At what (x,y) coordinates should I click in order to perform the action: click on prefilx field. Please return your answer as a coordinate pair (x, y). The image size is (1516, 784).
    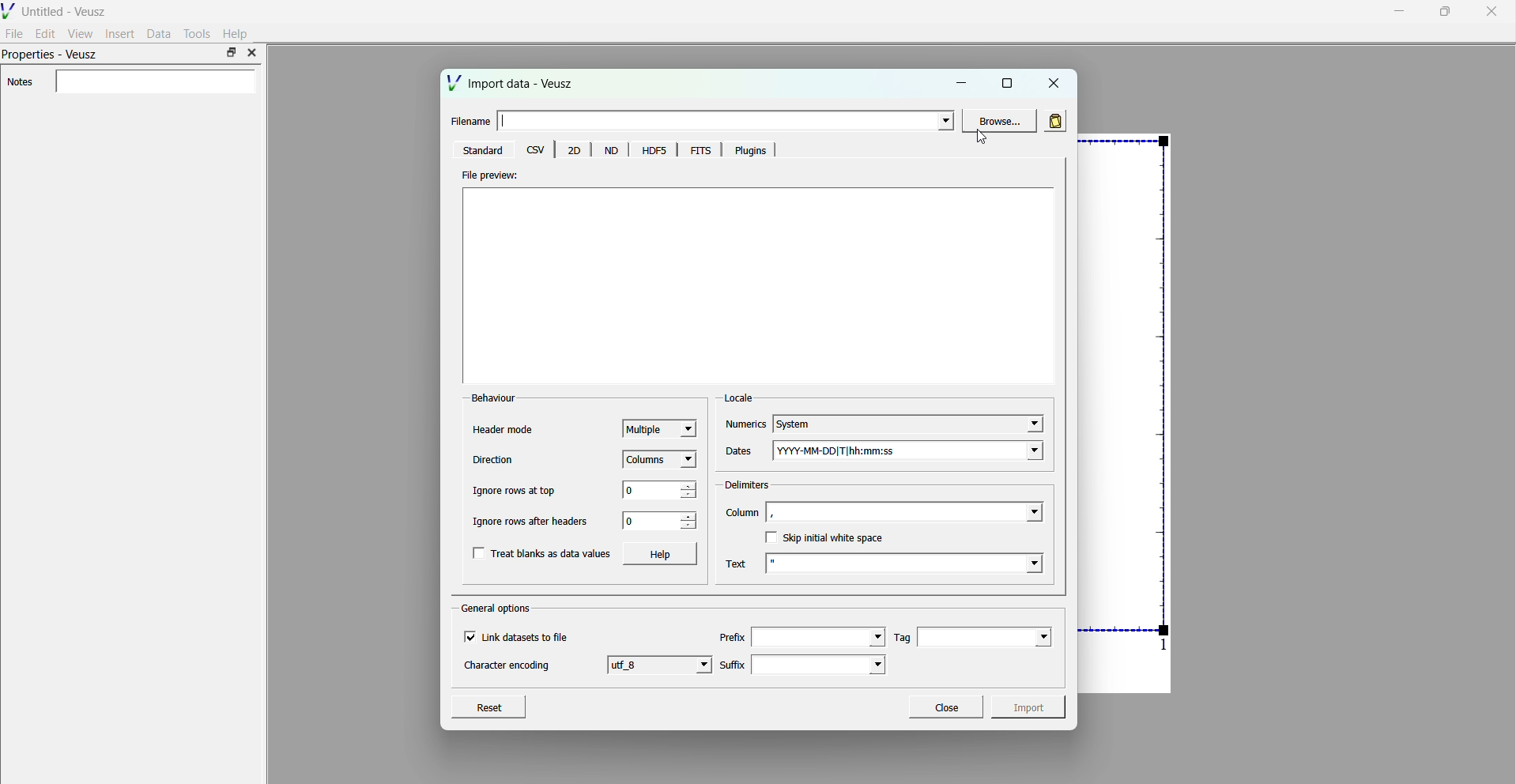
    Looking at the image, I should click on (816, 637).